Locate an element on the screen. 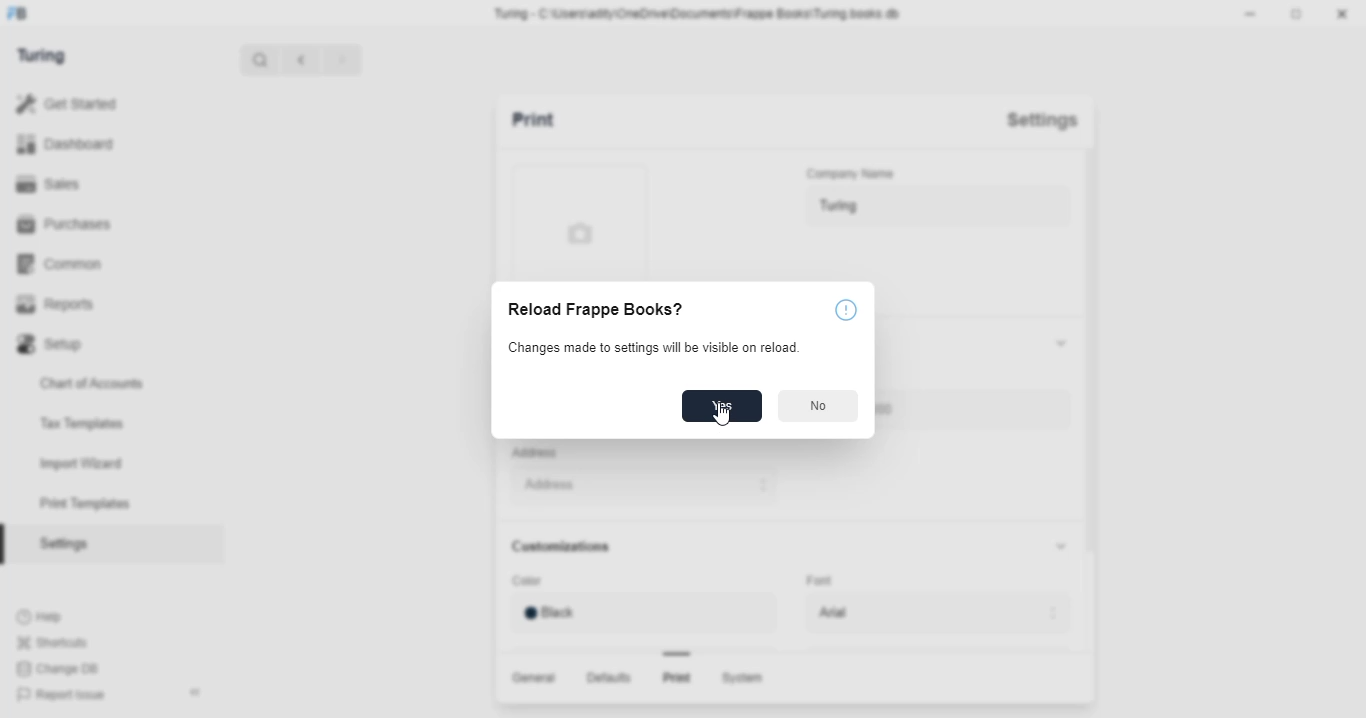 Image resolution: width=1366 pixels, height=718 pixels. Changes made to settings will be visible on reload is located at coordinates (645, 347).